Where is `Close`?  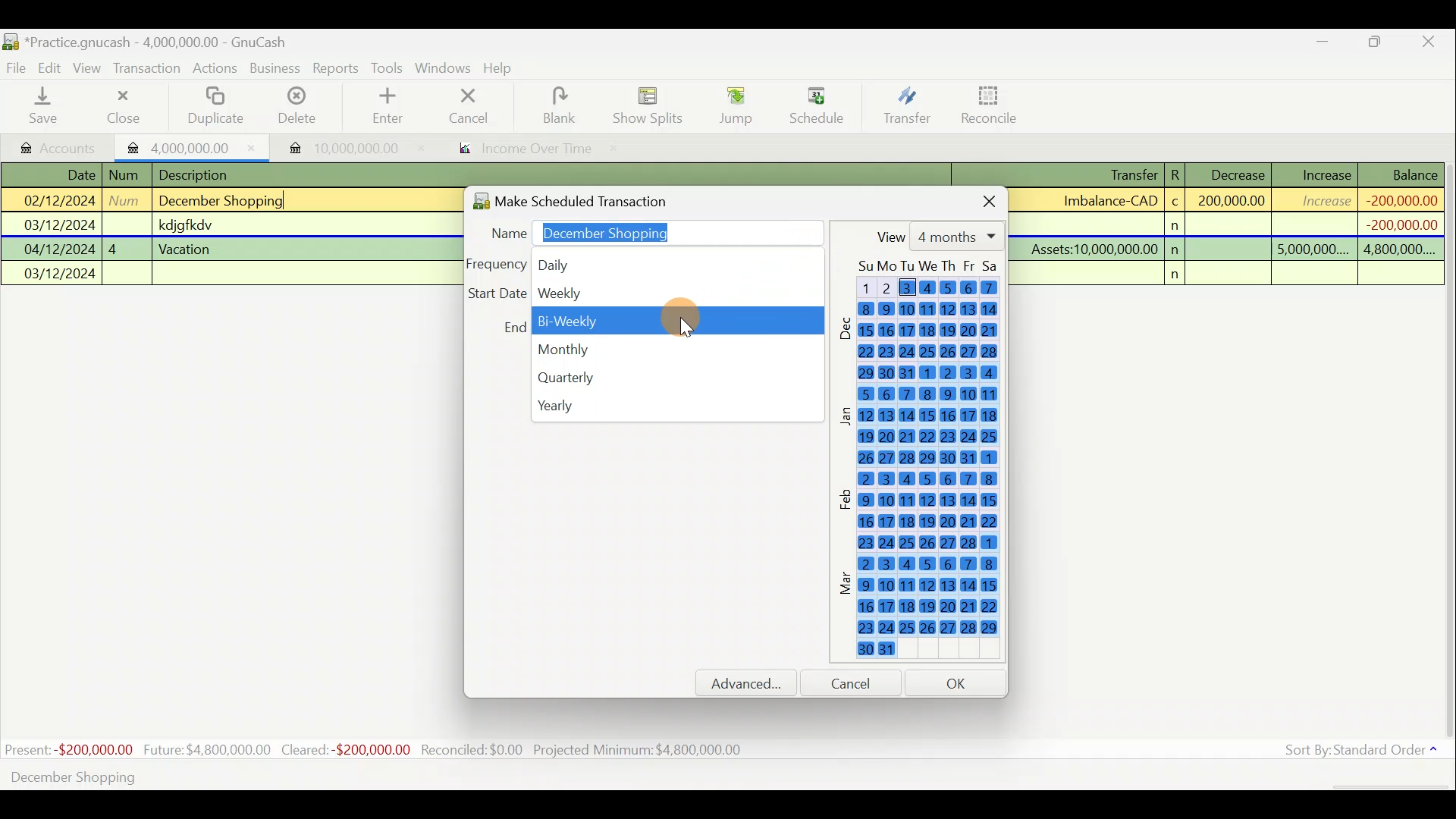 Close is located at coordinates (977, 199).